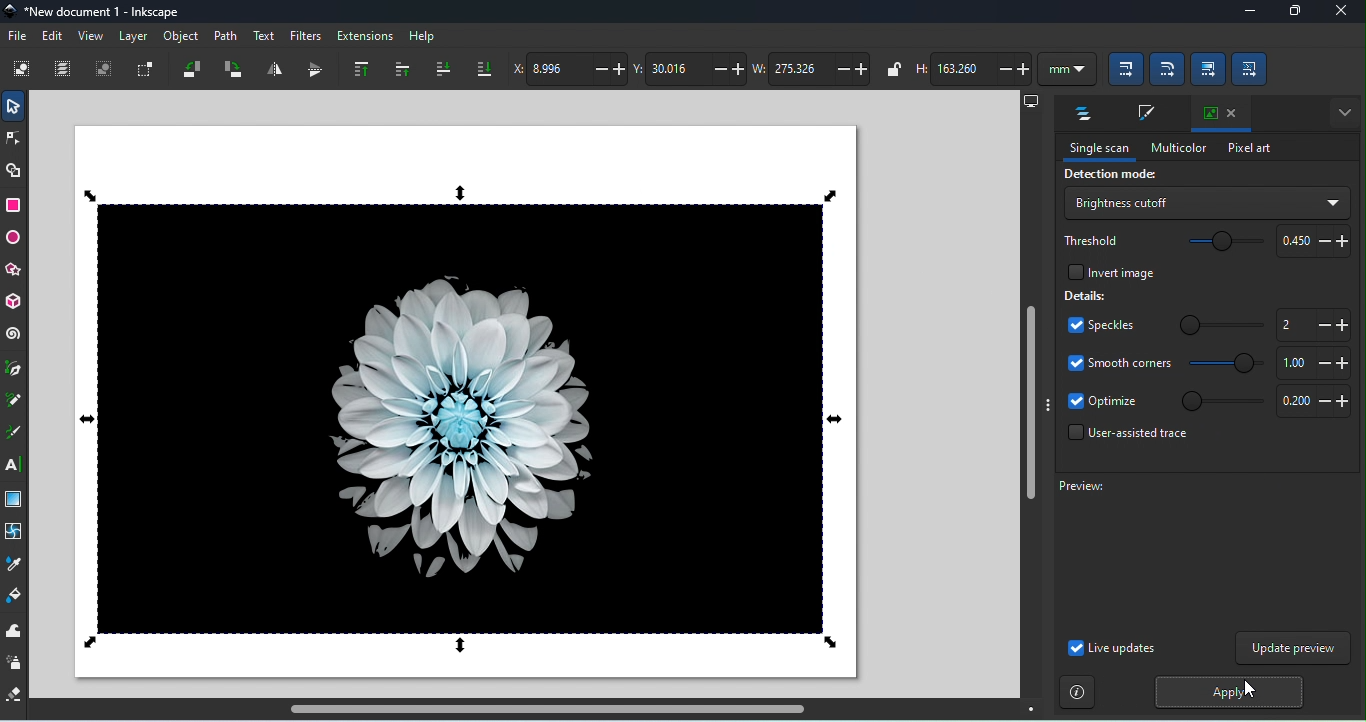 The image size is (1366, 722). Describe the element at coordinates (191, 72) in the screenshot. I see `Object rotate 90 CCW` at that location.